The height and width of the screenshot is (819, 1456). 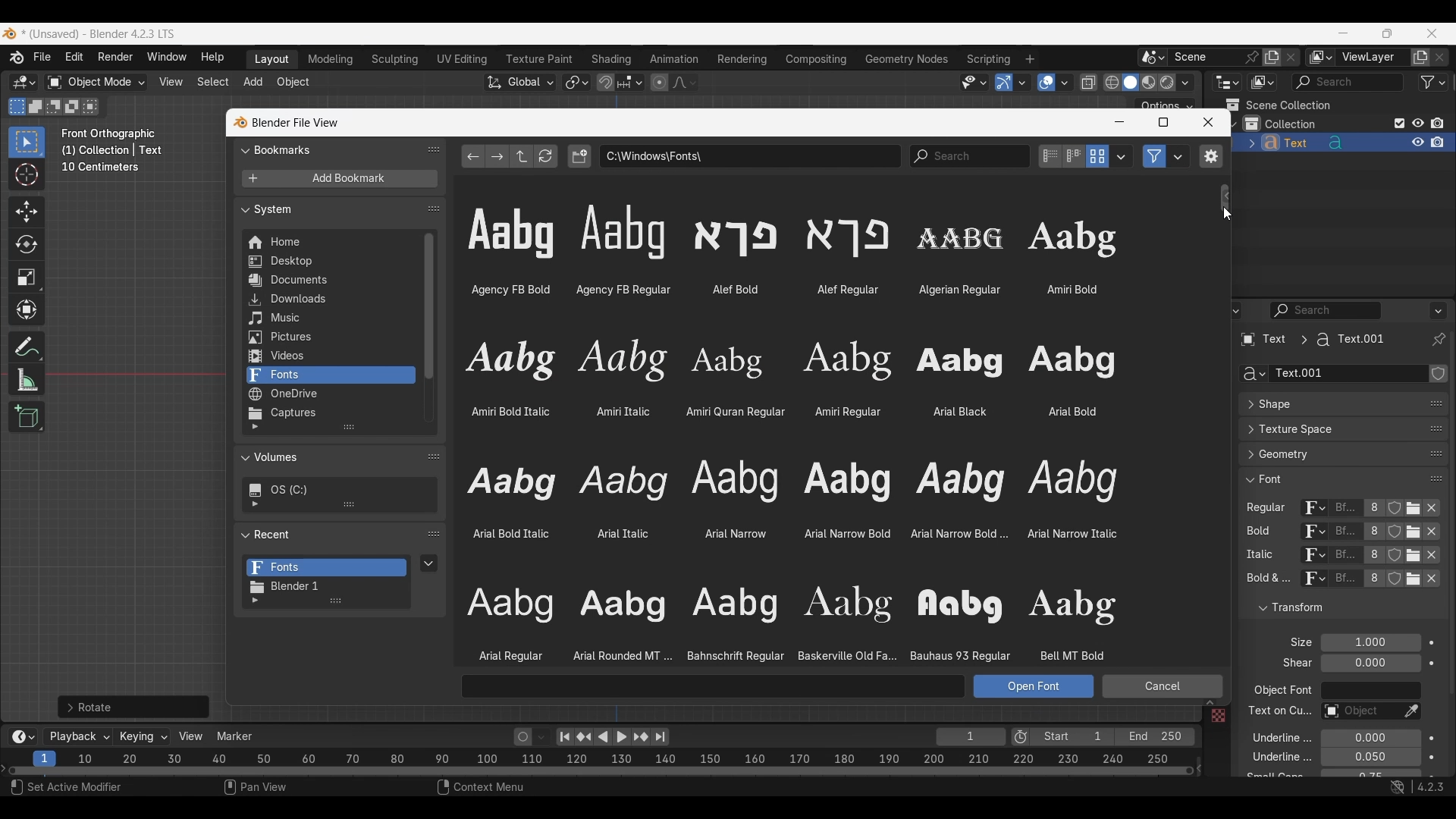 I want to click on Geometry nodes workspace, so click(x=906, y=58).